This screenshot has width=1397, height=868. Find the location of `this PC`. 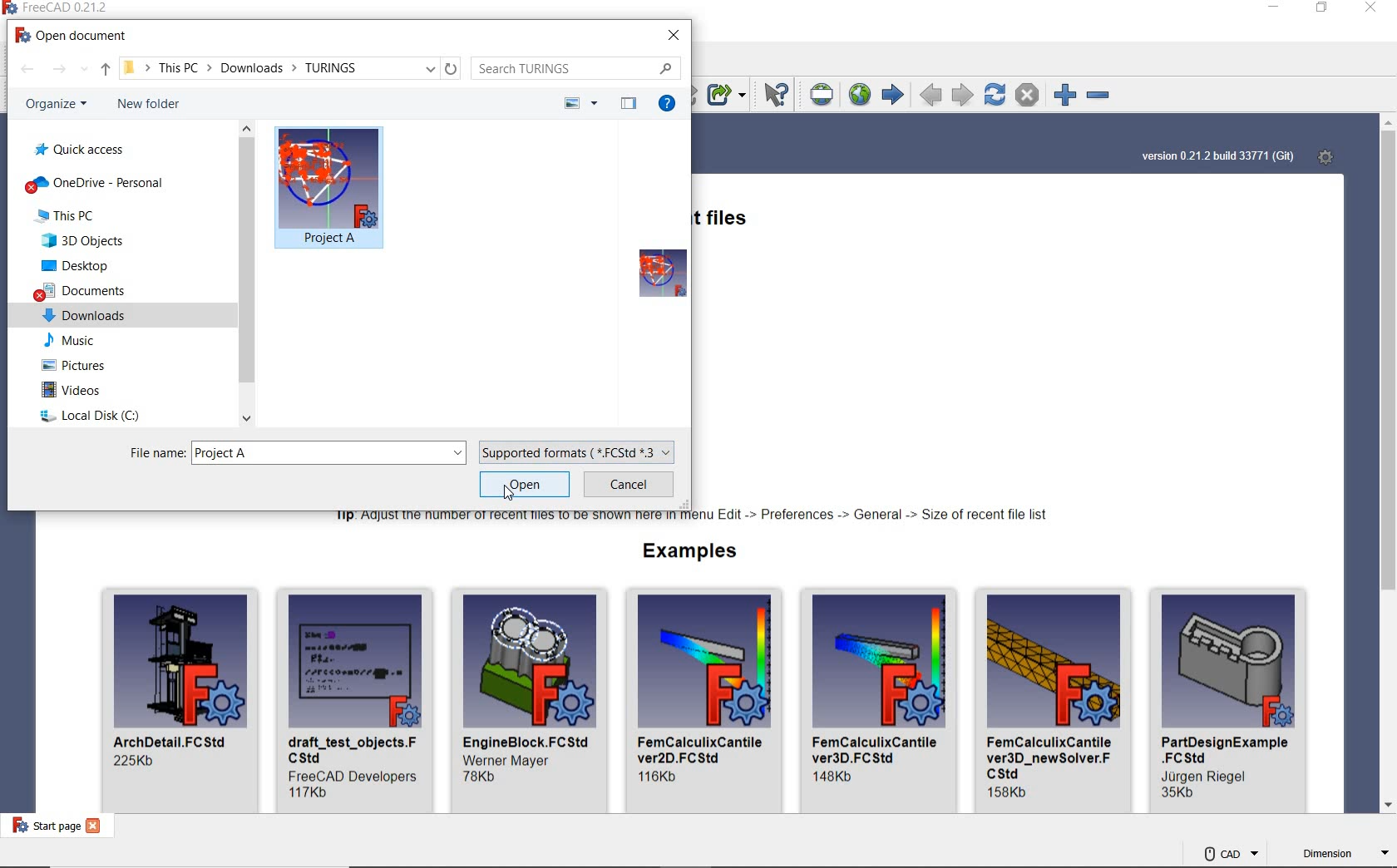

this PC is located at coordinates (70, 215).